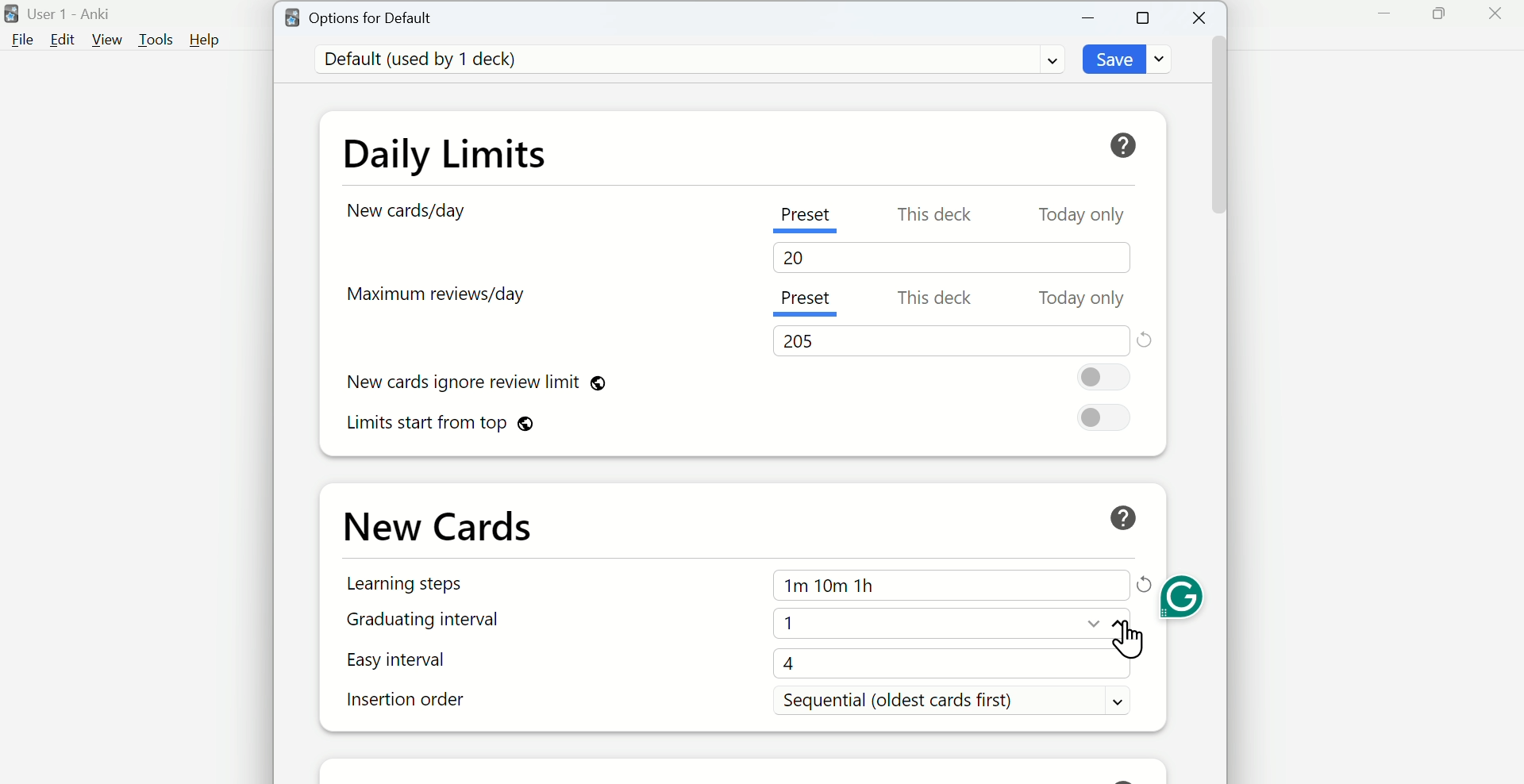  What do you see at coordinates (462, 150) in the screenshot?
I see `Daily Limits` at bounding box center [462, 150].